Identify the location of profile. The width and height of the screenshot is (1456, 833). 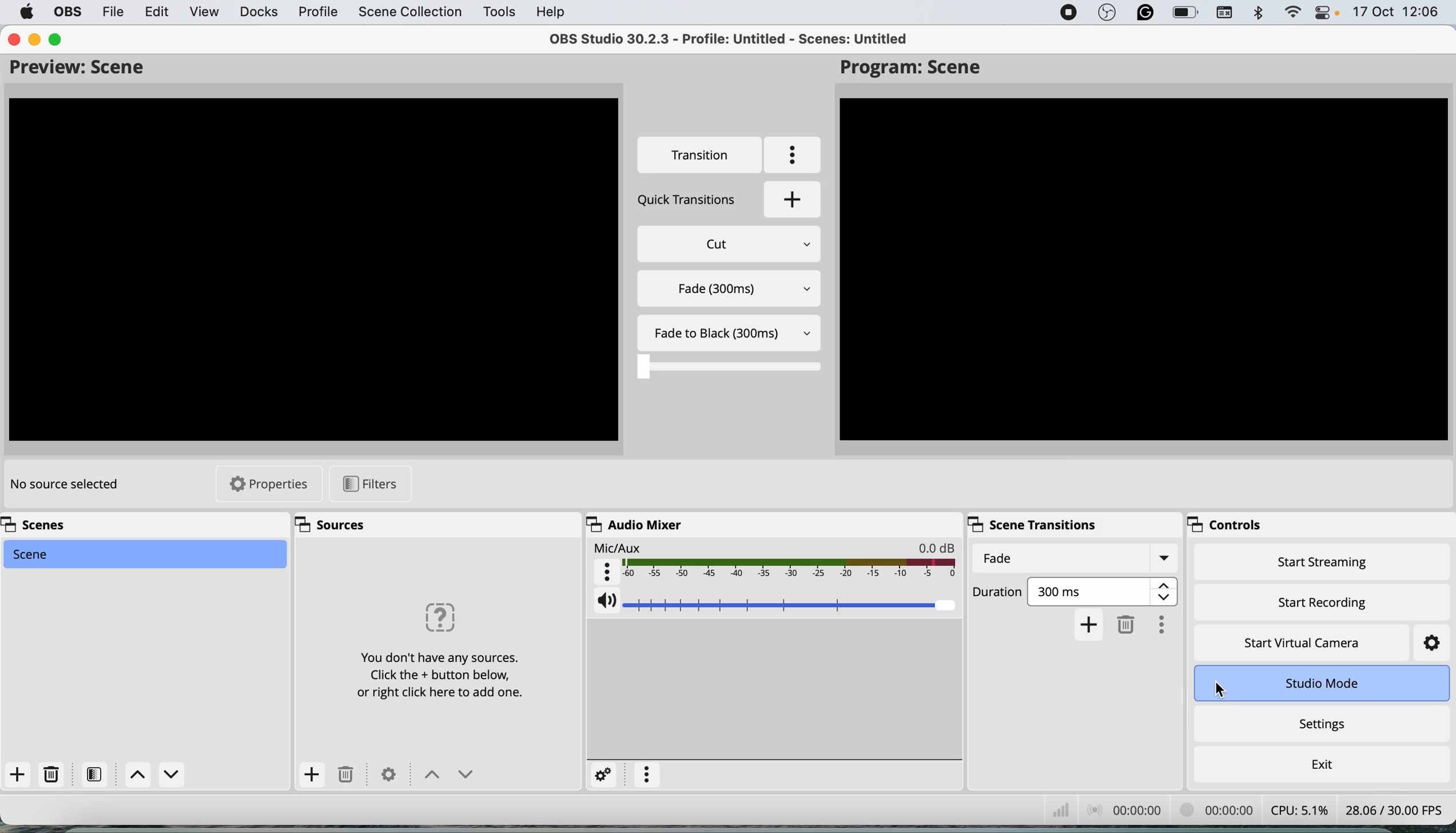
(321, 14).